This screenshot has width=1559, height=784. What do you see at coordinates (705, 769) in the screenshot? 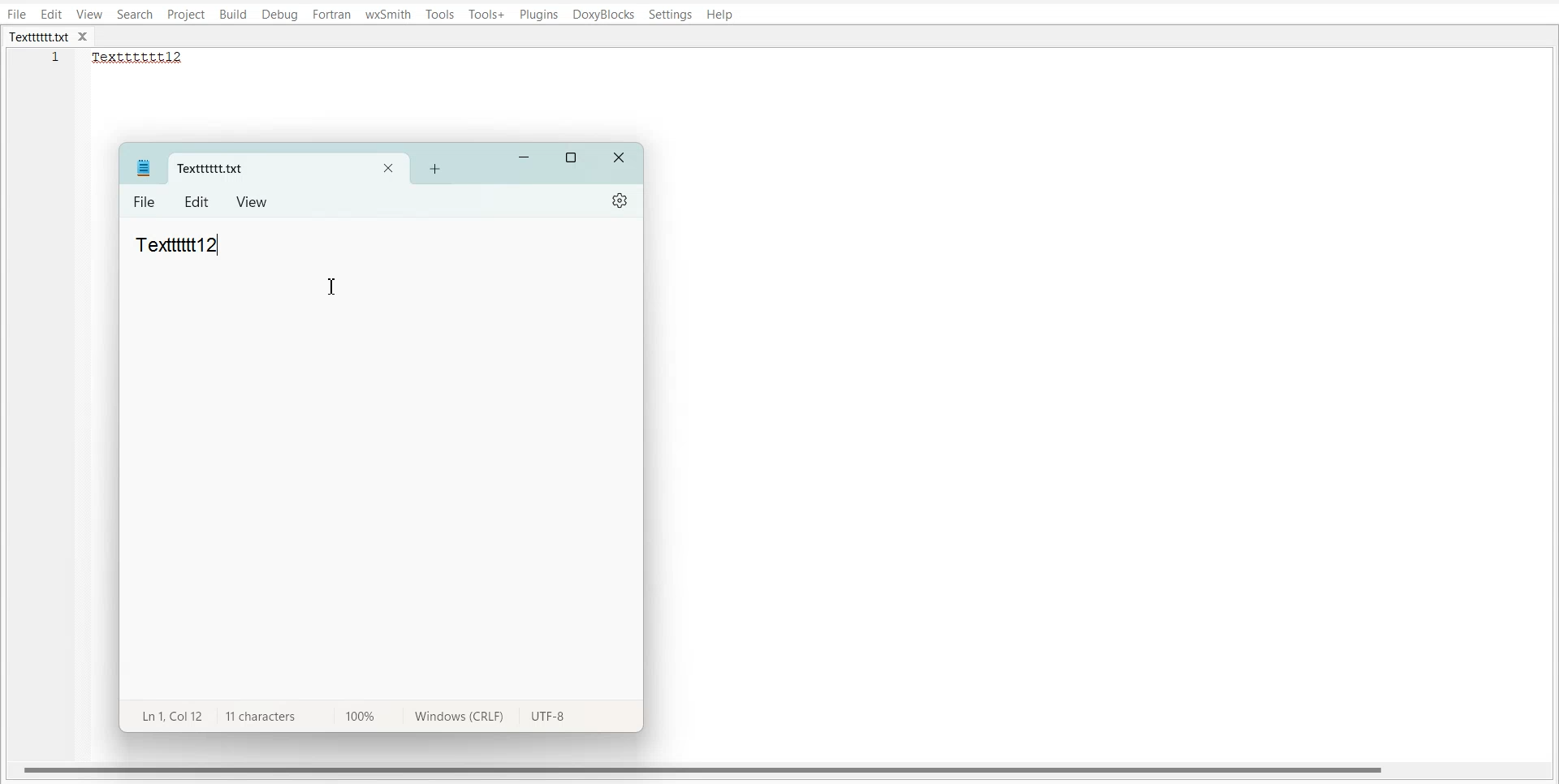
I see `Horizontal scroll bar` at bounding box center [705, 769].